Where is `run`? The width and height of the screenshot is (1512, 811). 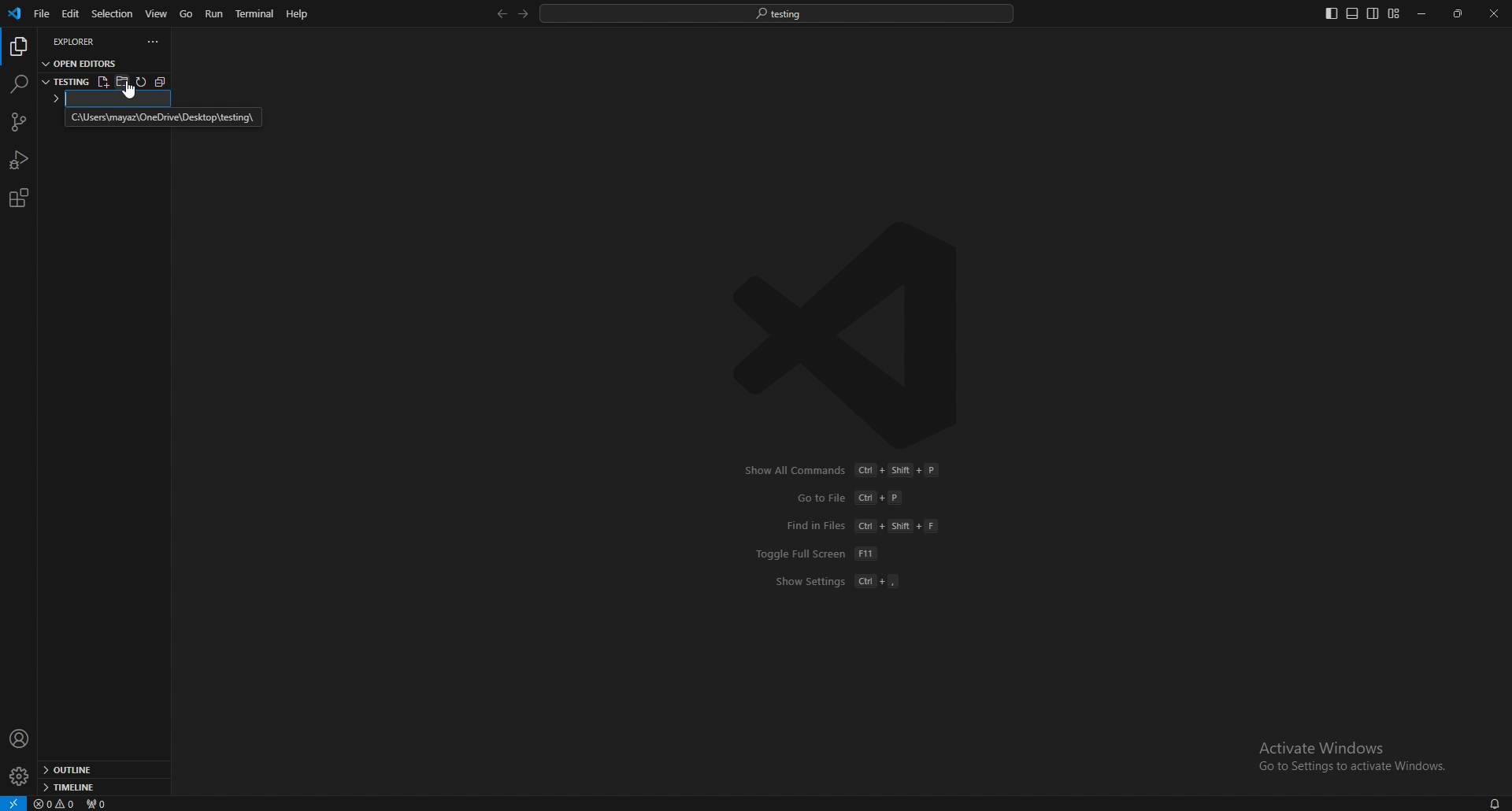
run is located at coordinates (216, 13).